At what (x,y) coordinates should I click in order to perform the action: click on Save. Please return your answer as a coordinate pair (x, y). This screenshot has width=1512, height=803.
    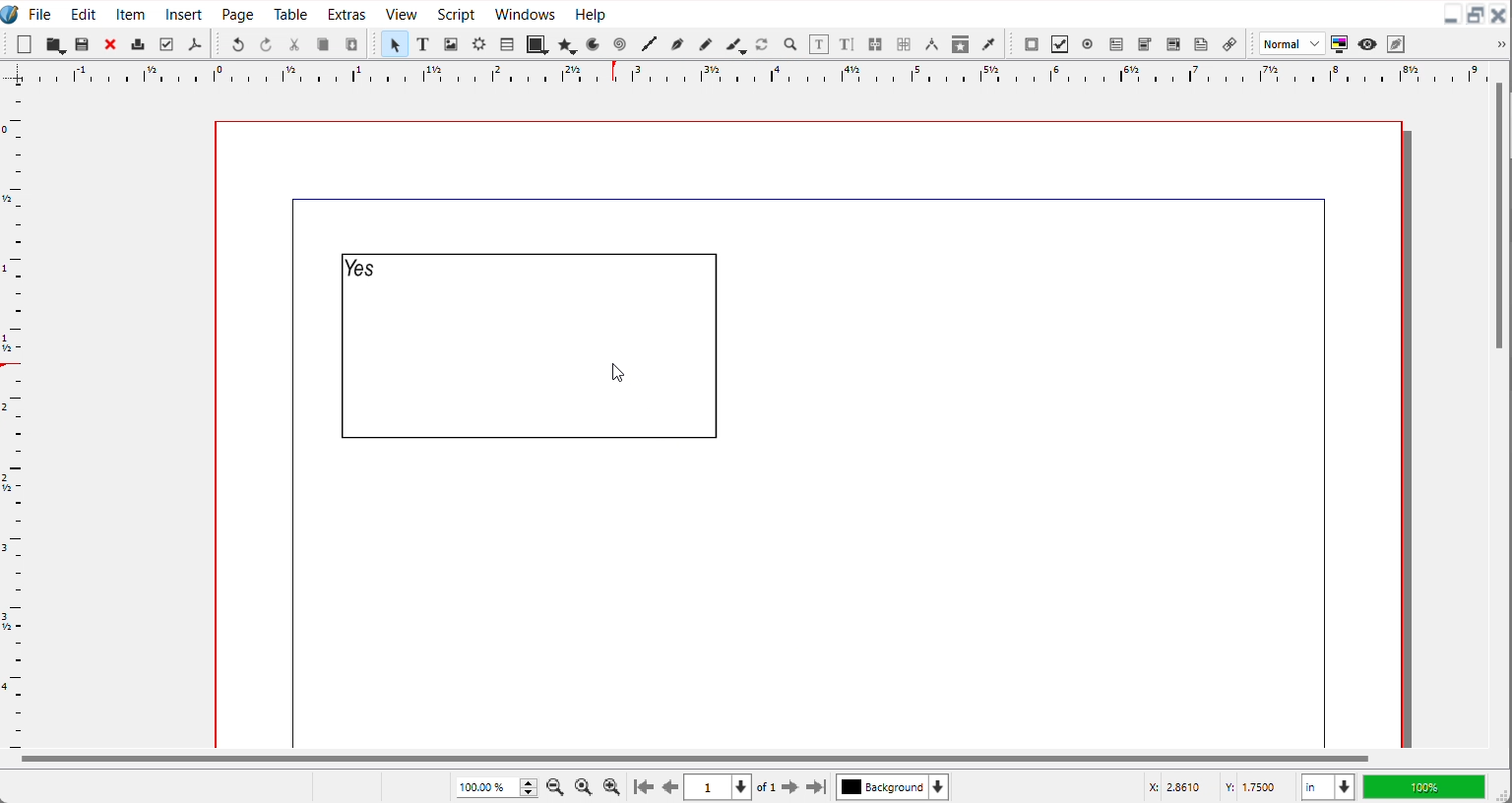
    Looking at the image, I should click on (55, 44).